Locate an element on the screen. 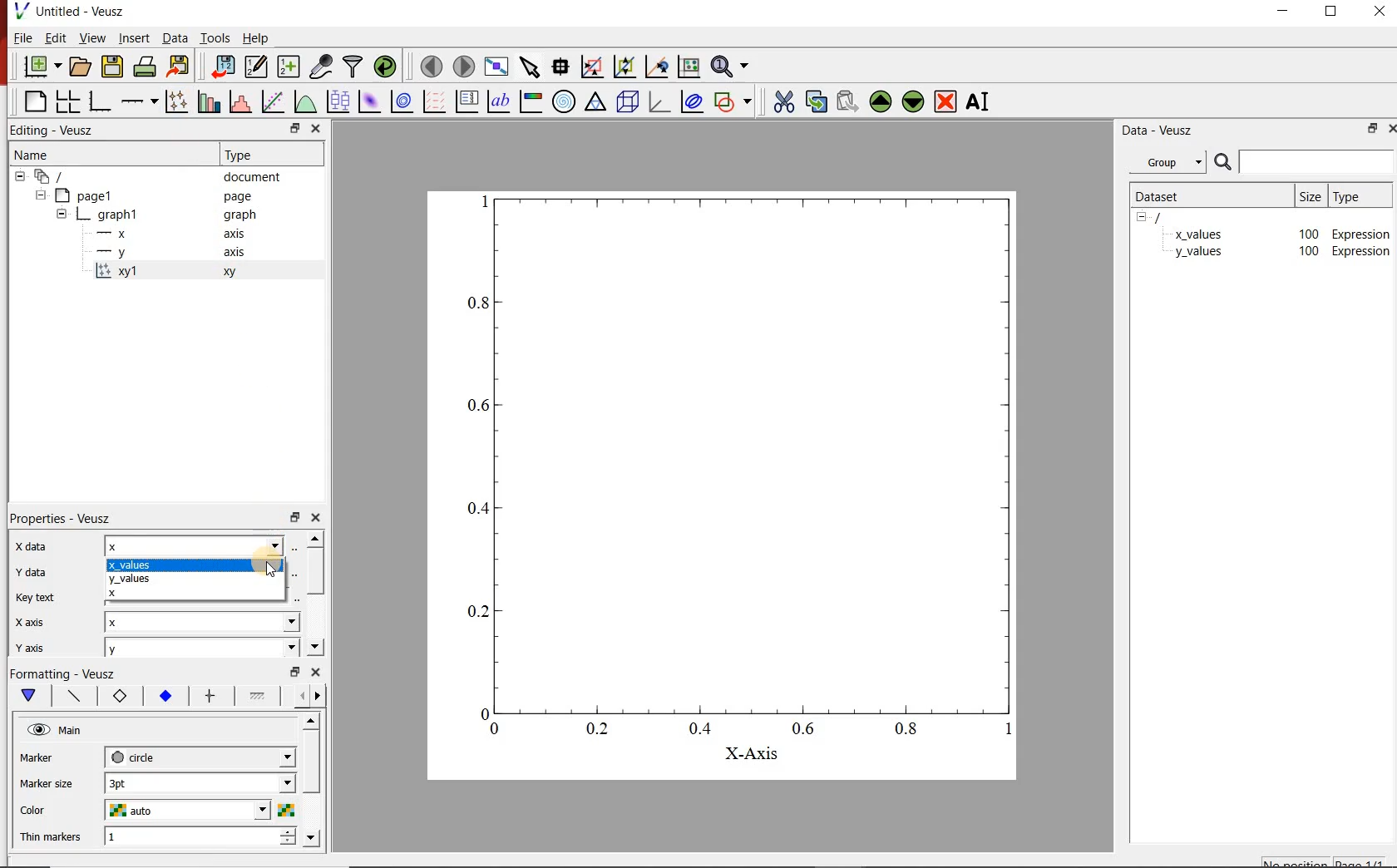 The height and width of the screenshot is (868, 1397). type is located at coordinates (1358, 197).